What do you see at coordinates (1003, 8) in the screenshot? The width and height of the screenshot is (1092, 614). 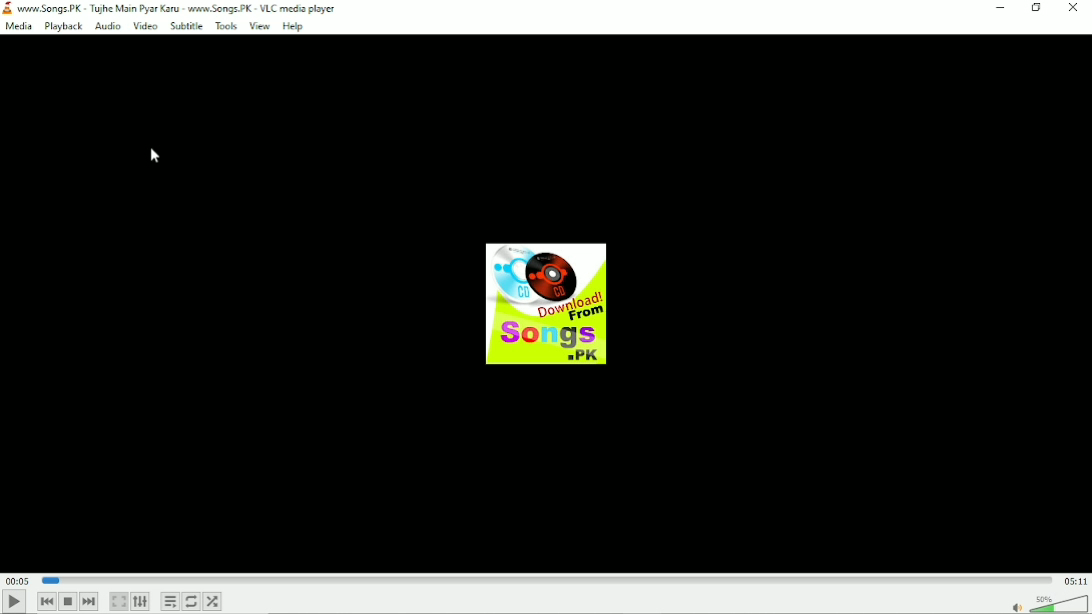 I see `Minimize` at bounding box center [1003, 8].